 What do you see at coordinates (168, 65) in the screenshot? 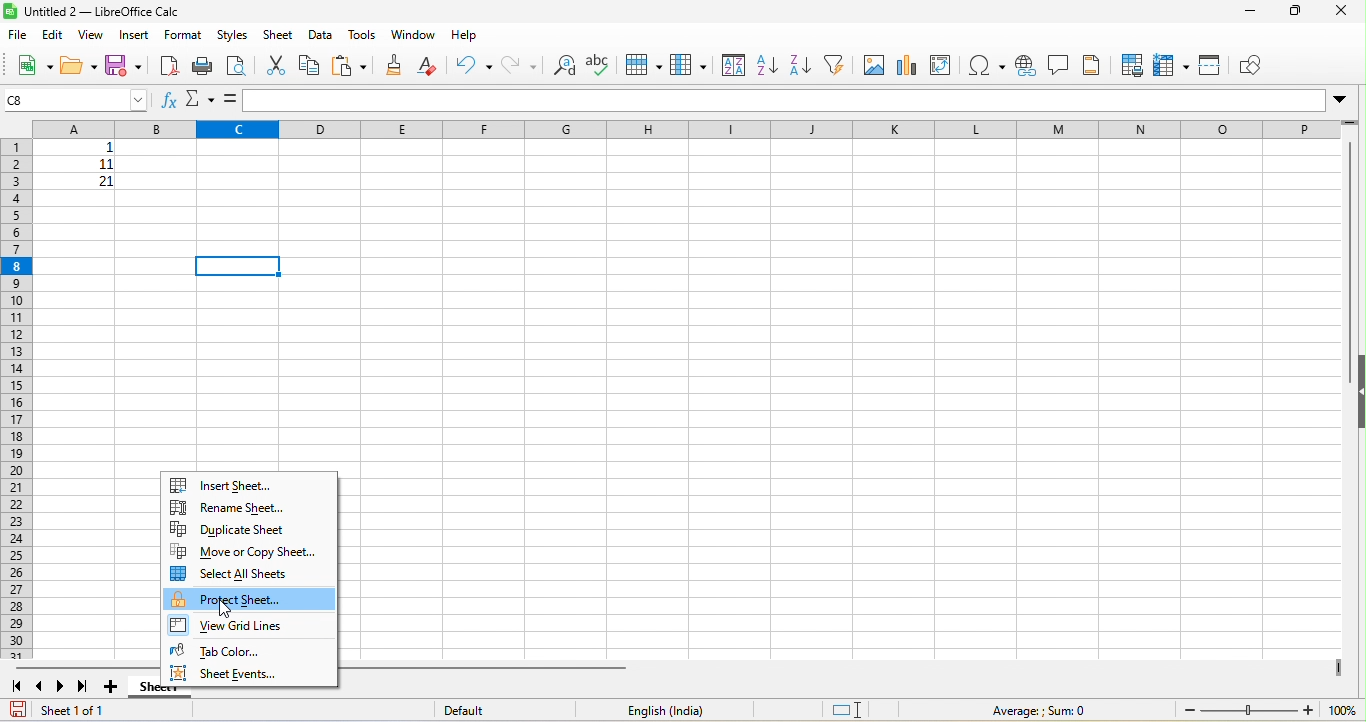
I see `export pdf` at bounding box center [168, 65].